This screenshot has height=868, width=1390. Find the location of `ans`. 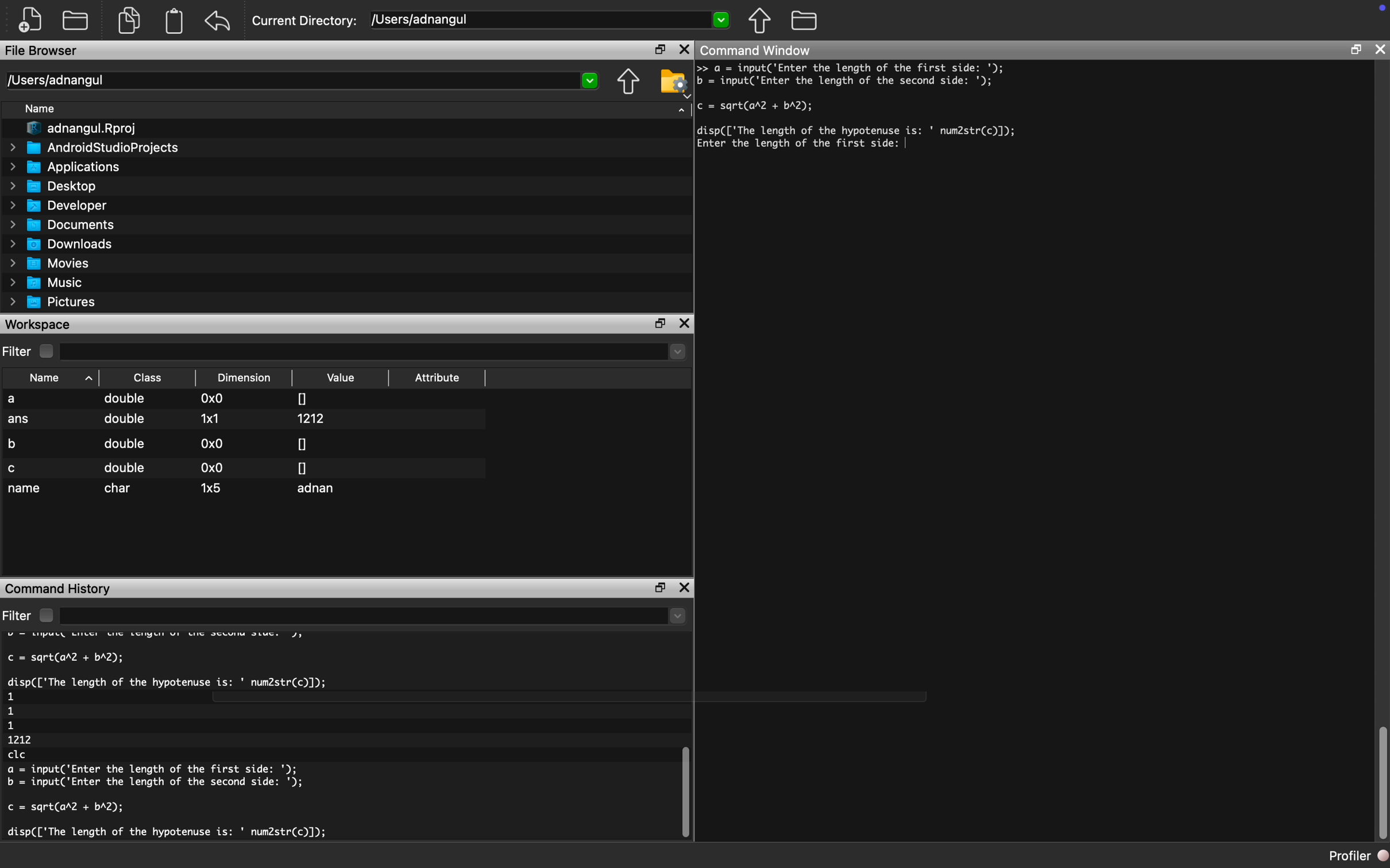

ans is located at coordinates (20, 421).